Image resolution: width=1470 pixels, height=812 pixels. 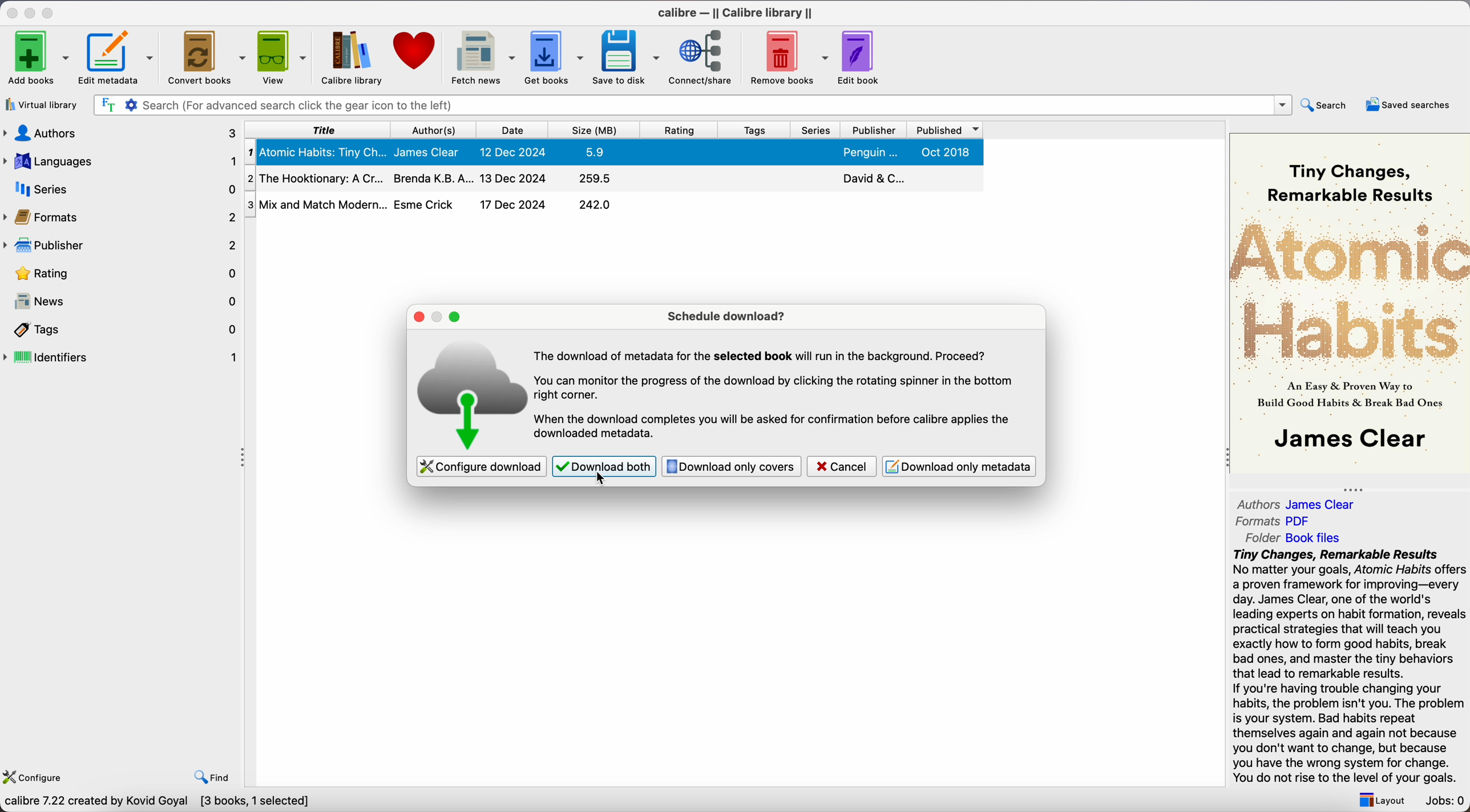 I want to click on close pop up, so click(x=417, y=317).